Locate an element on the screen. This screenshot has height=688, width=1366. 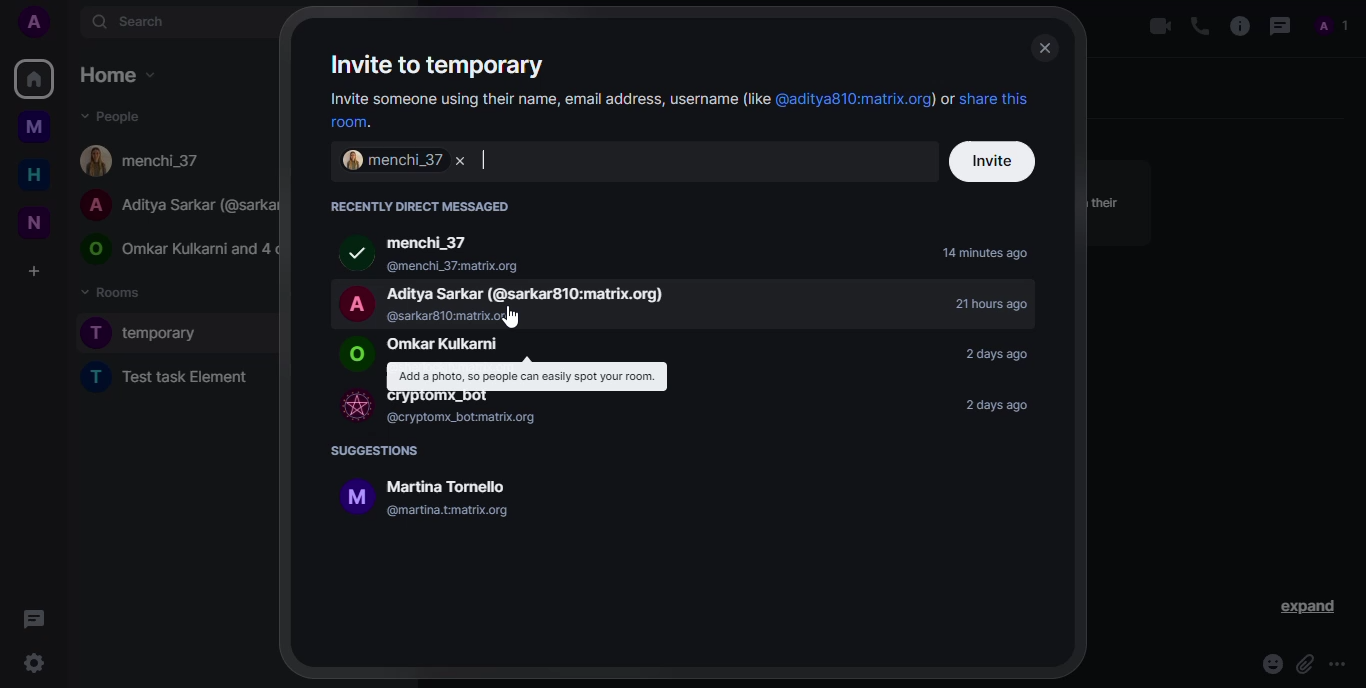
| Add a photo, 50 people can easily spot your room. is located at coordinates (526, 376).